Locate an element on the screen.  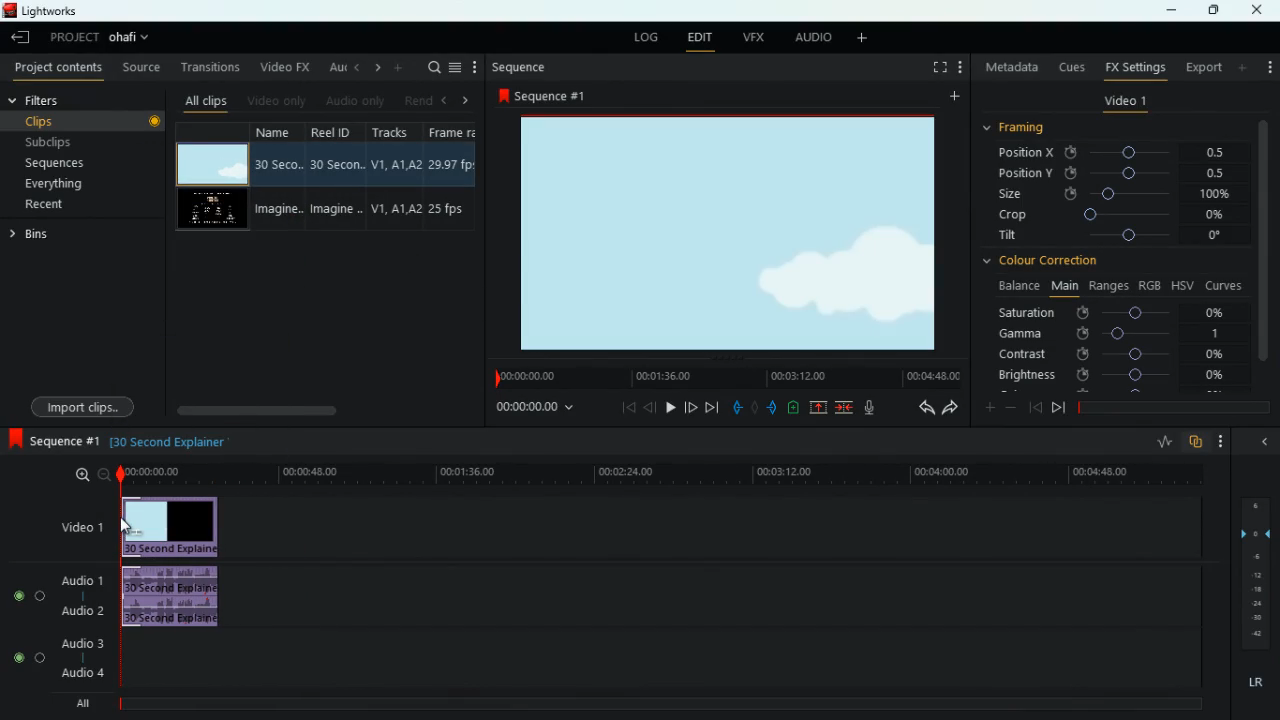
30 Secon.. is located at coordinates (339, 162).